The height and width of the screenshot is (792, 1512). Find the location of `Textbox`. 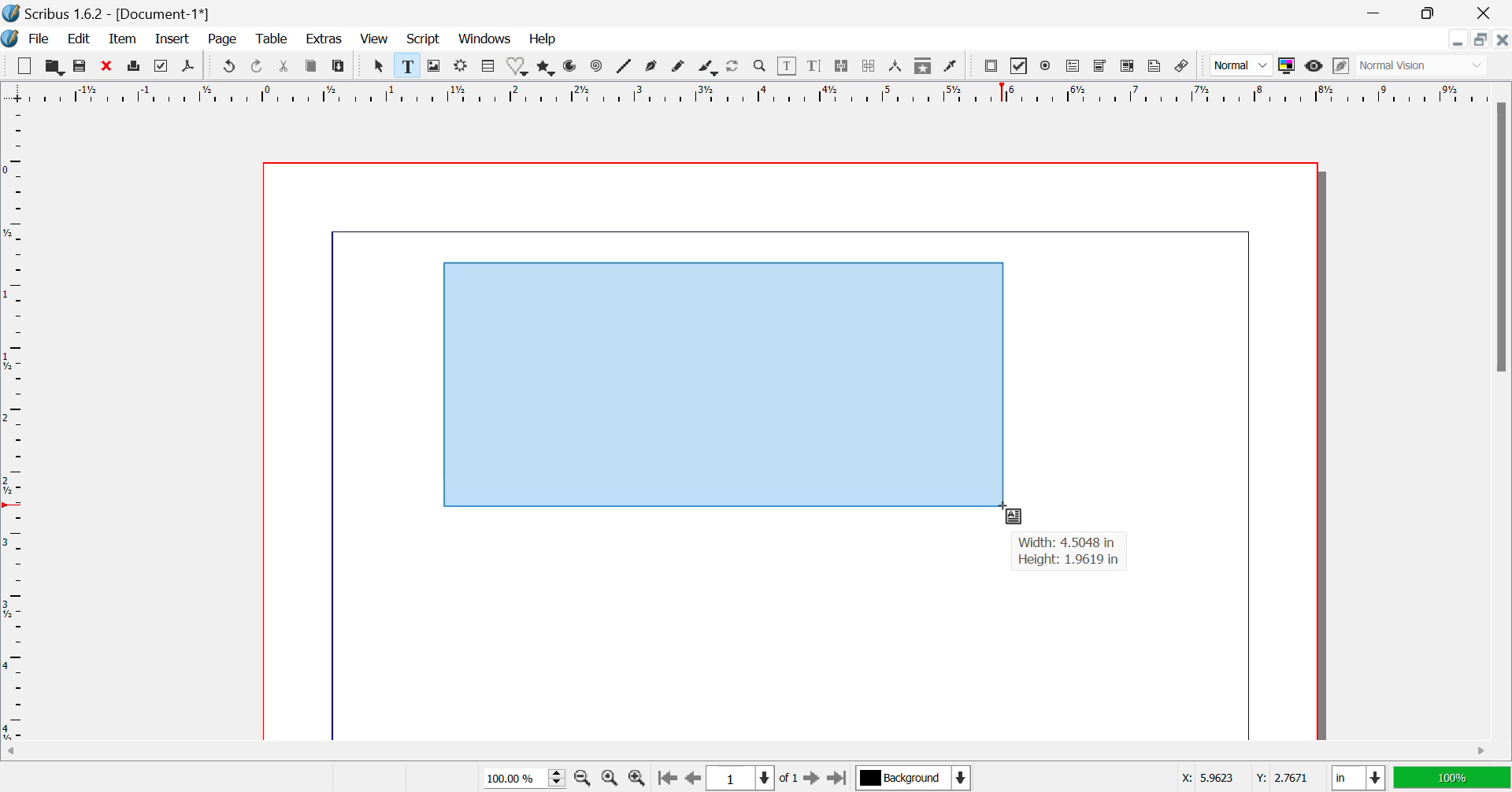

Textbox is located at coordinates (719, 383).